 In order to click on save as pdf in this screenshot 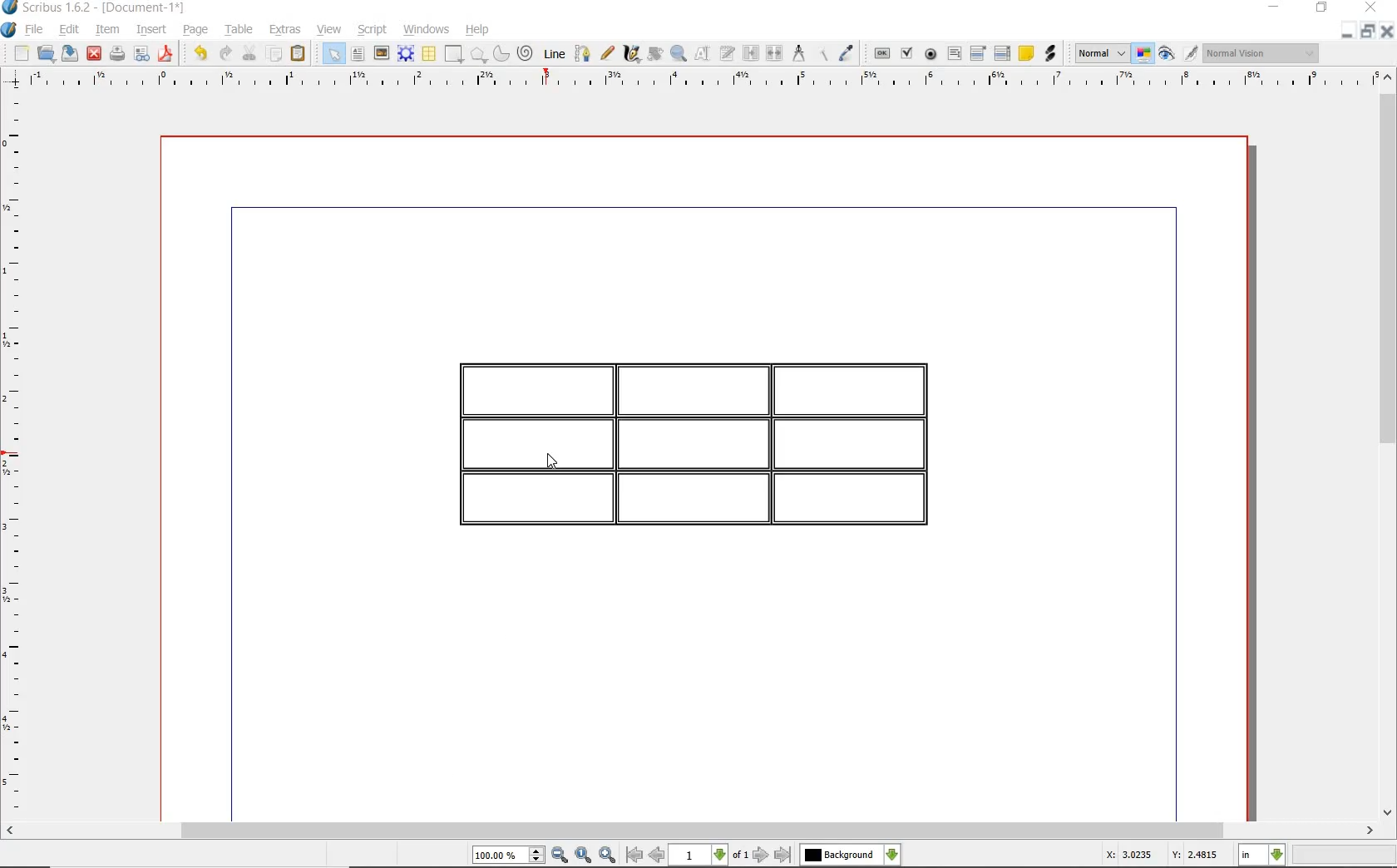, I will do `click(167, 55)`.